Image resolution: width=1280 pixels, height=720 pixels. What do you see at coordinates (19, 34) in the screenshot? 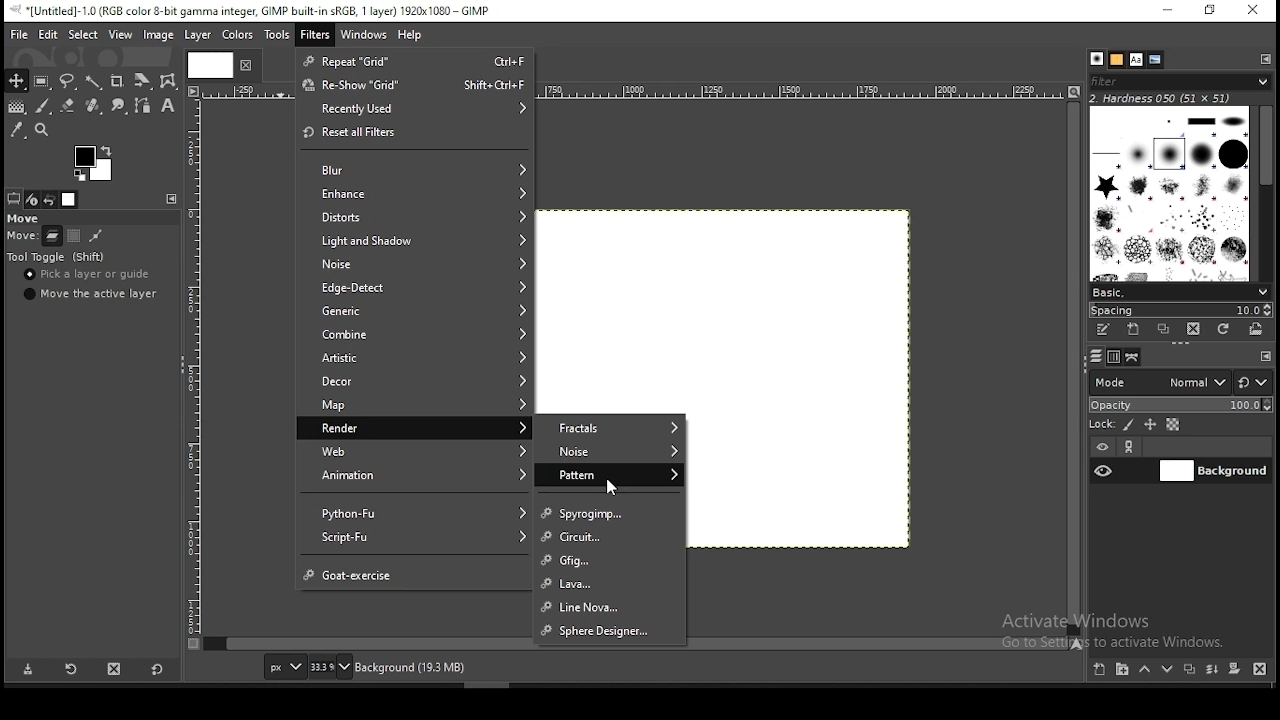
I see `file` at bounding box center [19, 34].